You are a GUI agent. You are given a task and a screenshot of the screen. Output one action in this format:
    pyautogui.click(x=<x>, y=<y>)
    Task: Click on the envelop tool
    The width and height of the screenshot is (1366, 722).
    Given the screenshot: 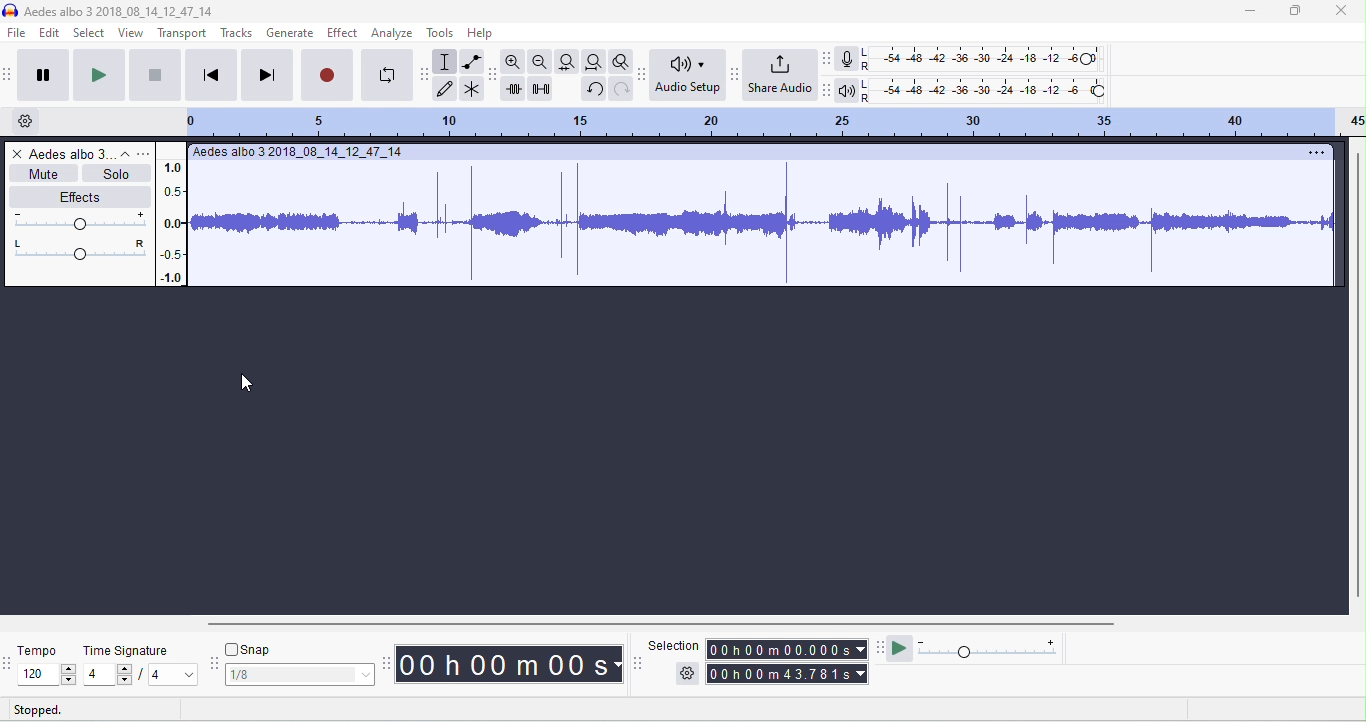 What is the action you would take?
    pyautogui.click(x=472, y=62)
    